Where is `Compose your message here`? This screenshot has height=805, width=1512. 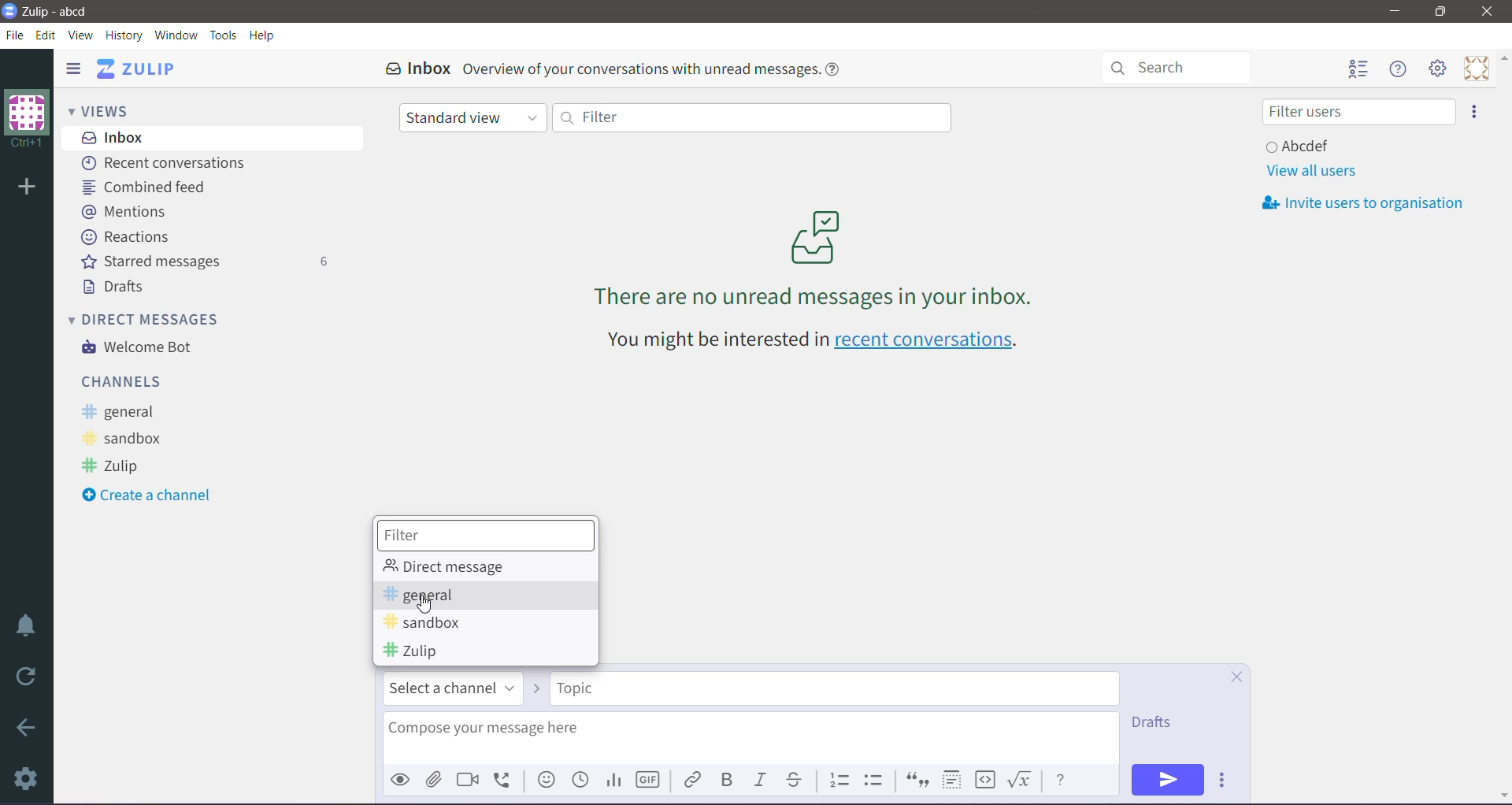
Compose your message here is located at coordinates (754, 736).